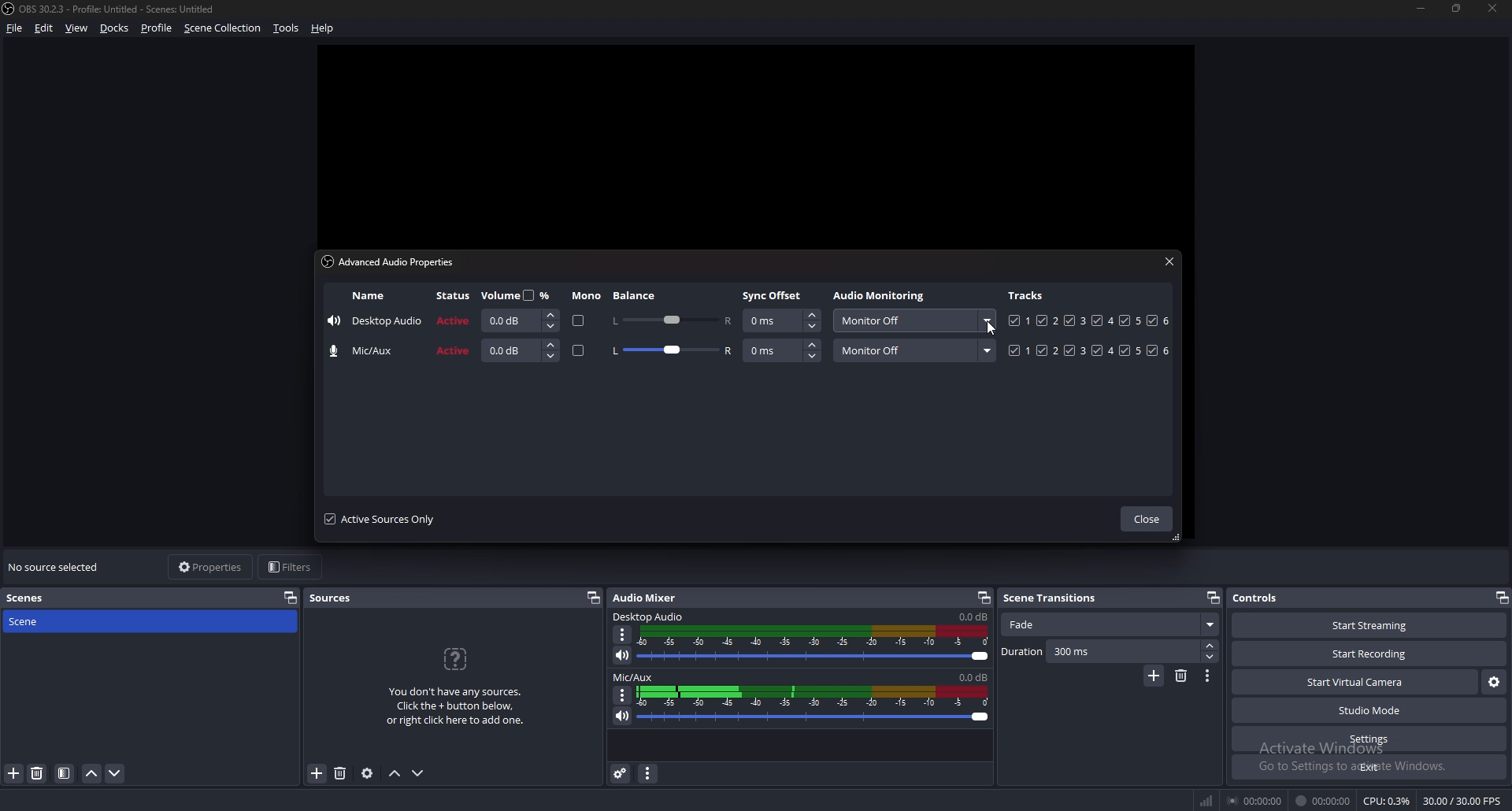 The width and height of the screenshot is (1512, 811). Describe the element at coordinates (375, 323) in the screenshot. I see `desktop audio` at that location.